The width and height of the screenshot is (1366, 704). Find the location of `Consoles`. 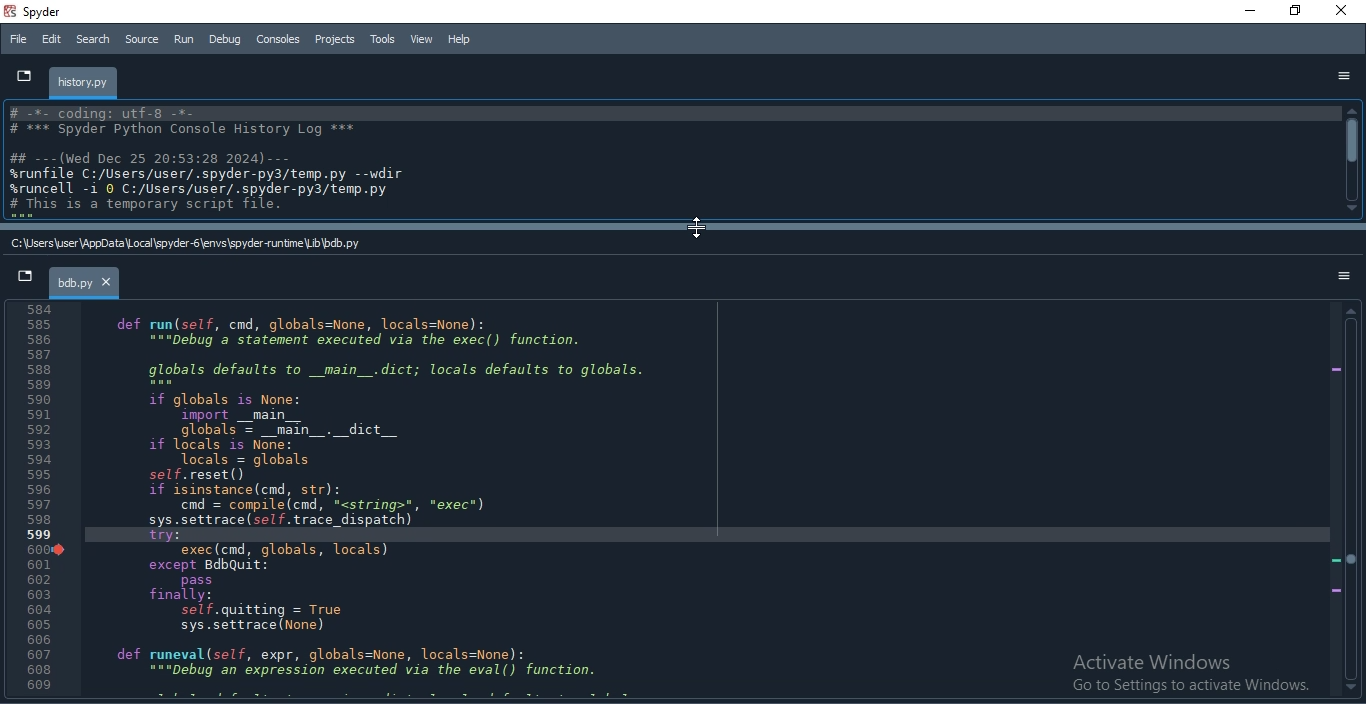

Consoles is located at coordinates (279, 38).